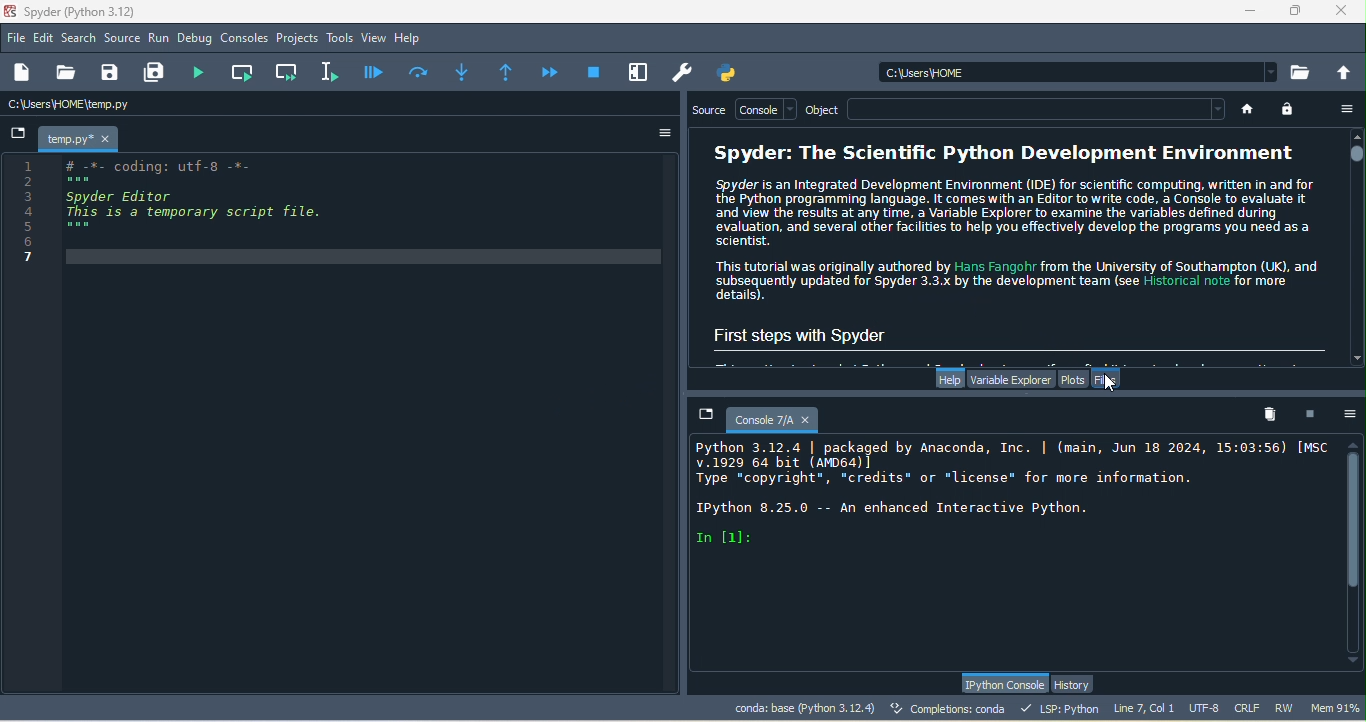 The image size is (1366, 722). Describe the element at coordinates (126, 105) in the screenshot. I see `c\users\home` at that location.